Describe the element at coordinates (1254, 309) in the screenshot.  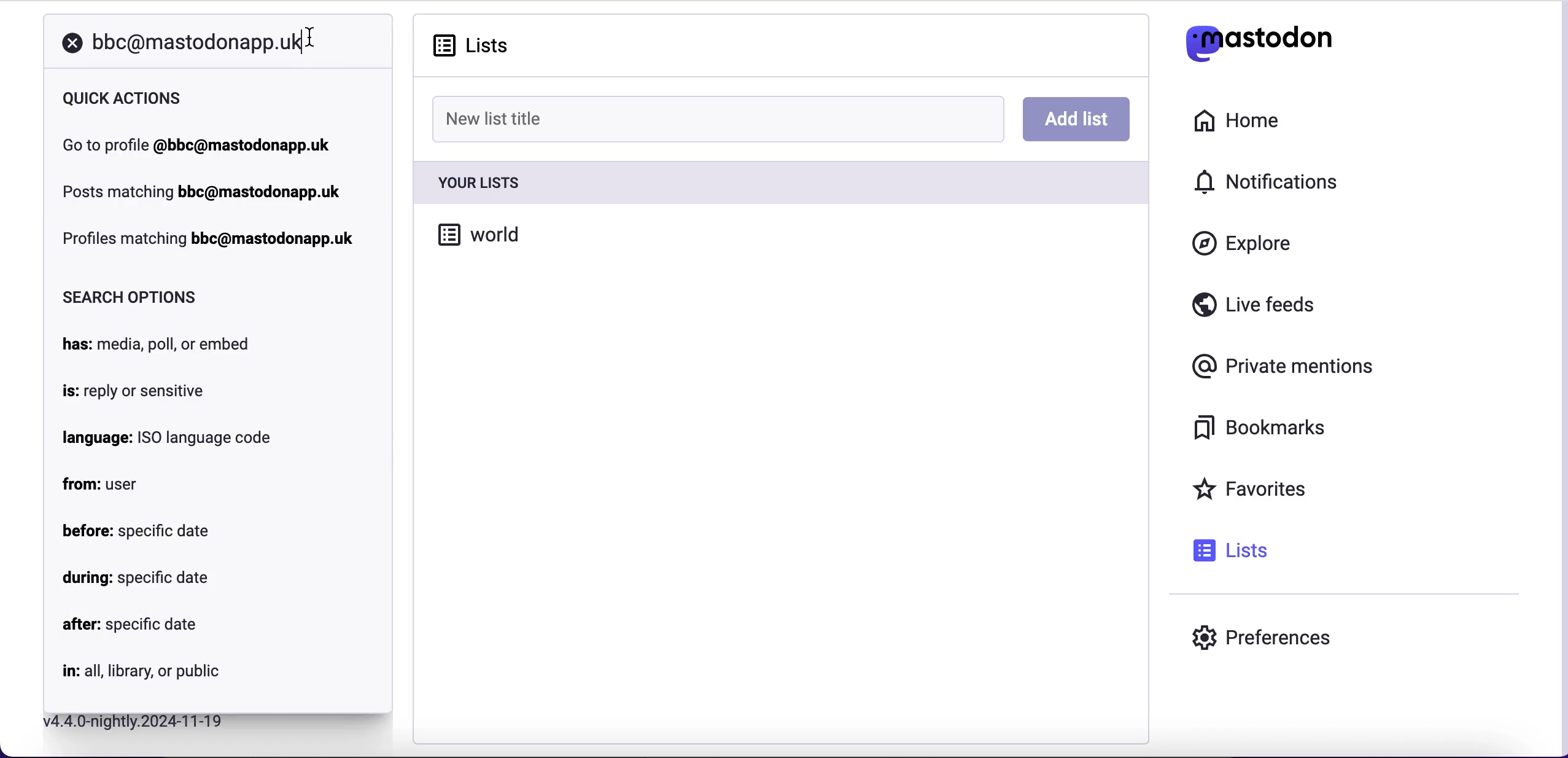
I see `live feeds` at that location.